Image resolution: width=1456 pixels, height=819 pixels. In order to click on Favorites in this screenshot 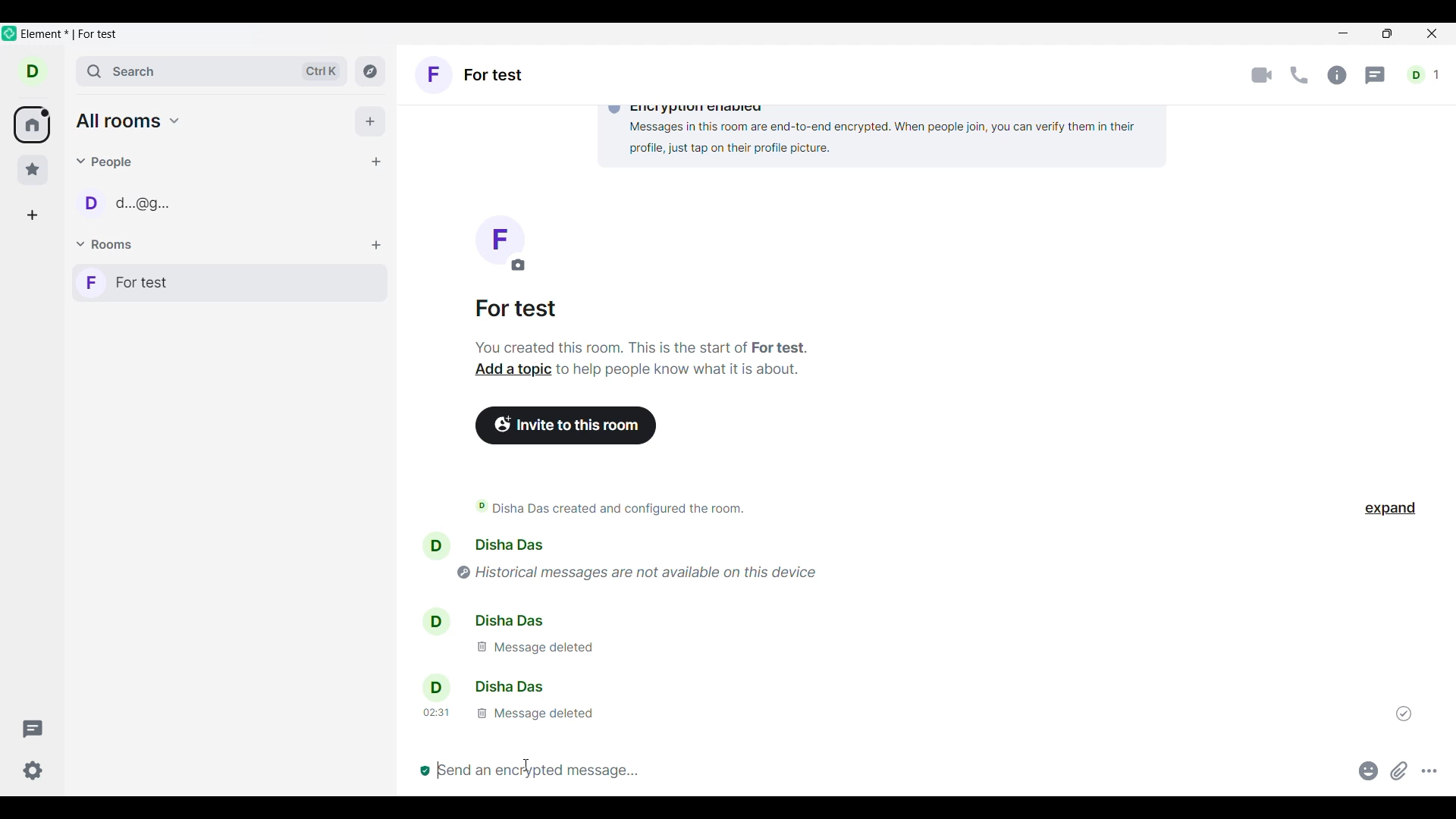, I will do `click(33, 170)`.